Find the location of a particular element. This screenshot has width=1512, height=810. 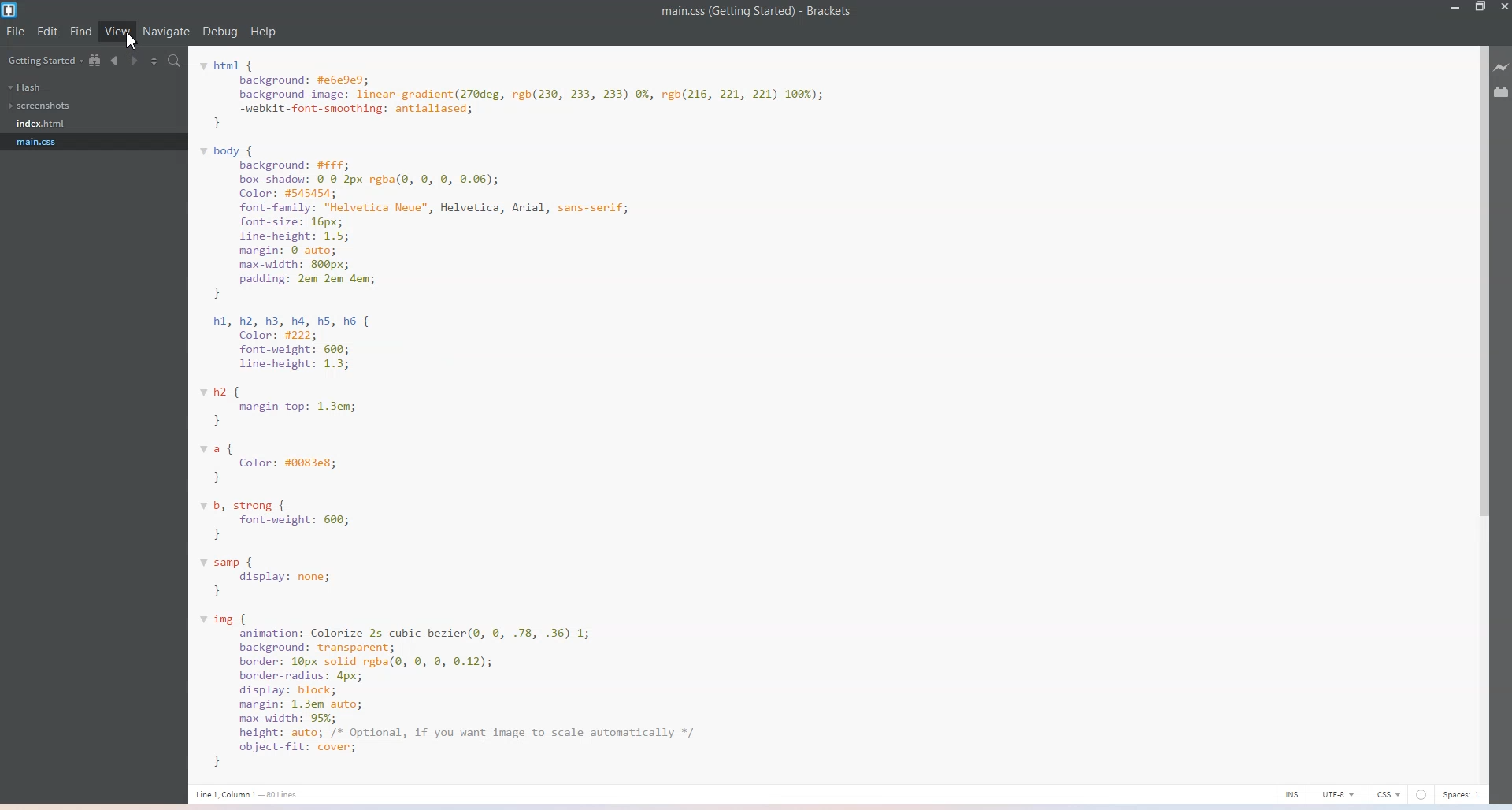

Find in files is located at coordinates (175, 61).